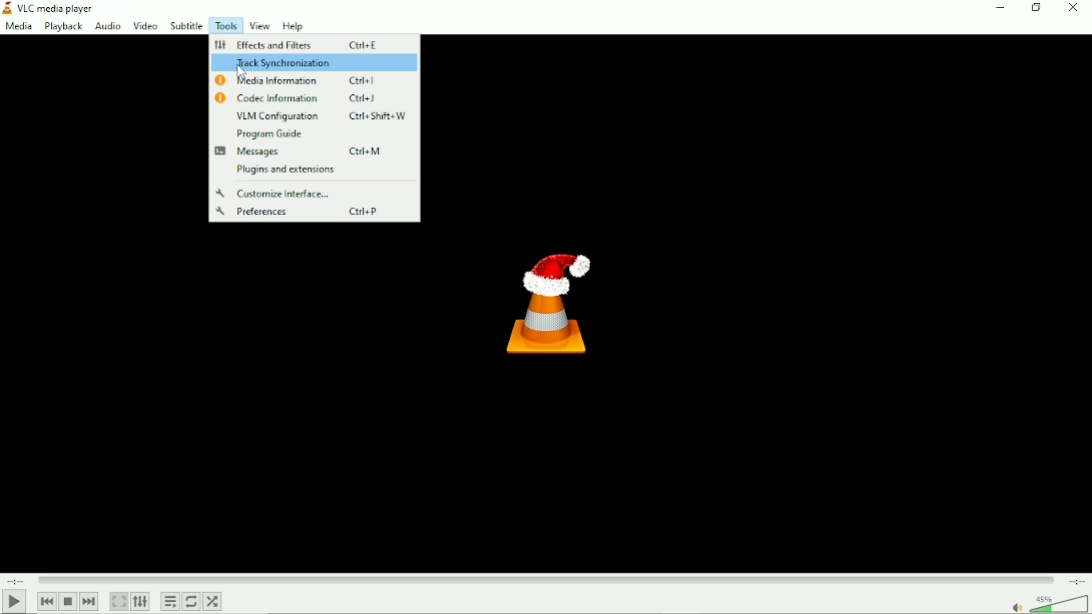 The image size is (1092, 614). I want to click on Next, so click(90, 602).